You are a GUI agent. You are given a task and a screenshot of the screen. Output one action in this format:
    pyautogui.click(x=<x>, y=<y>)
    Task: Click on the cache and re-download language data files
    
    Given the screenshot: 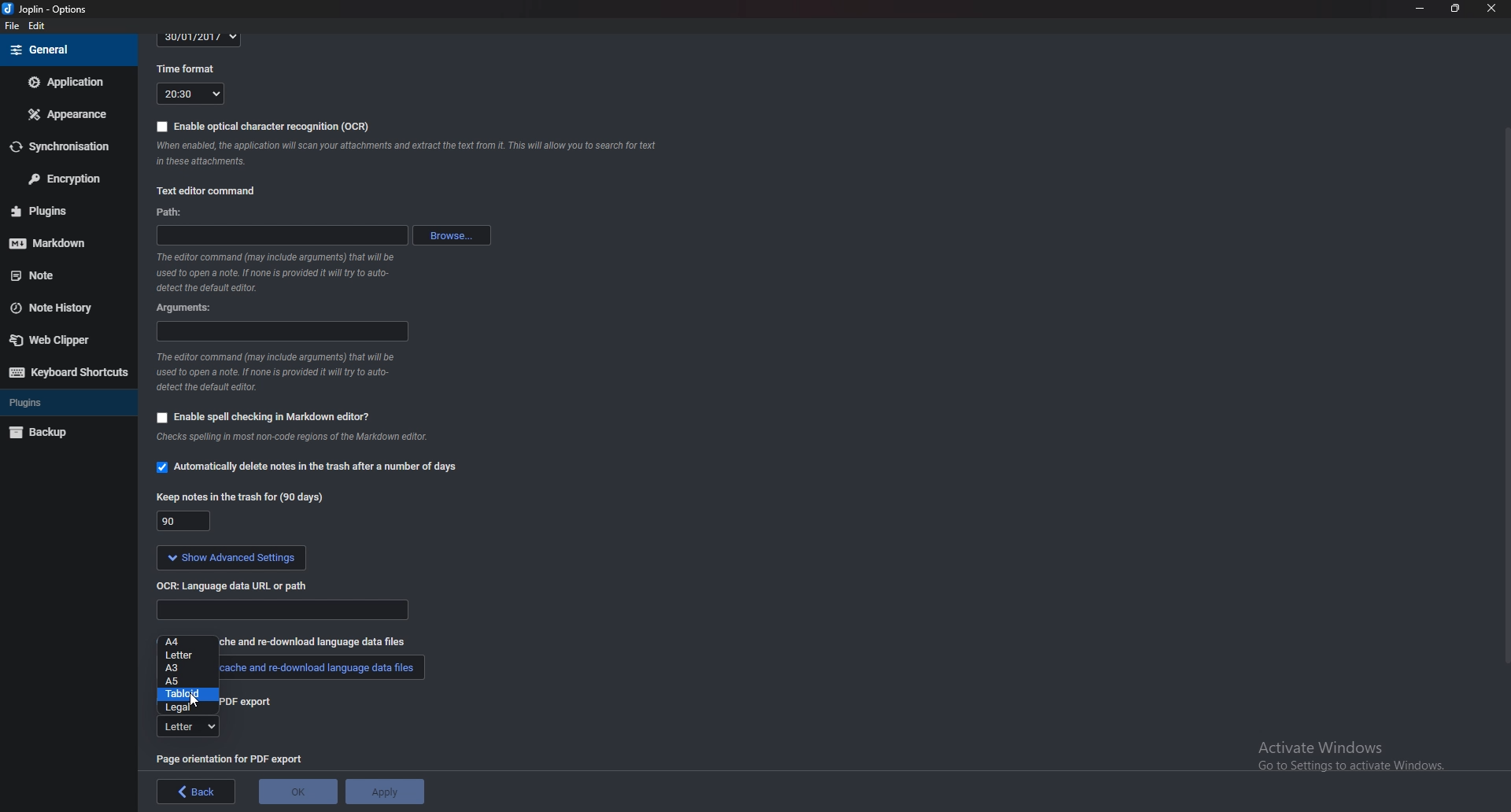 What is the action you would take?
    pyautogui.click(x=324, y=668)
    